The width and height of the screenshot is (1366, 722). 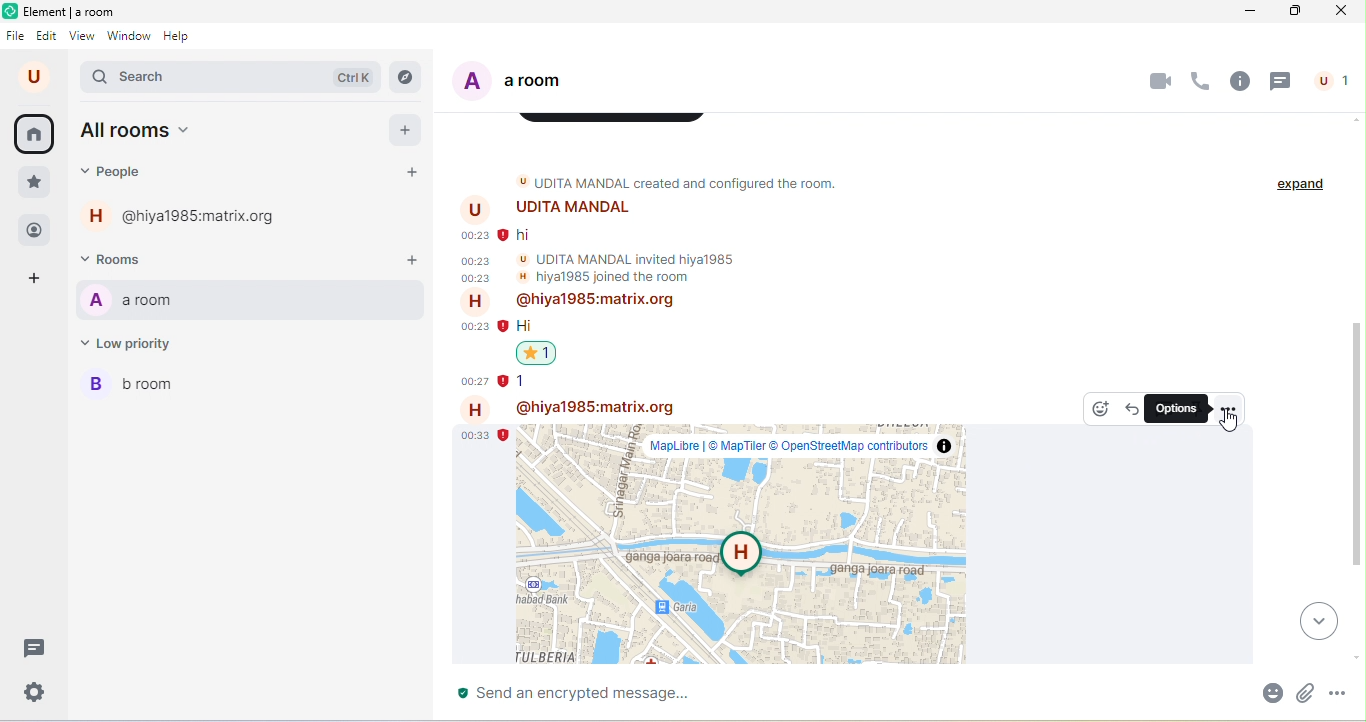 What do you see at coordinates (545, 209) in the screenshot?
I see `Udita Mandal` at bounding box center [545, 209].